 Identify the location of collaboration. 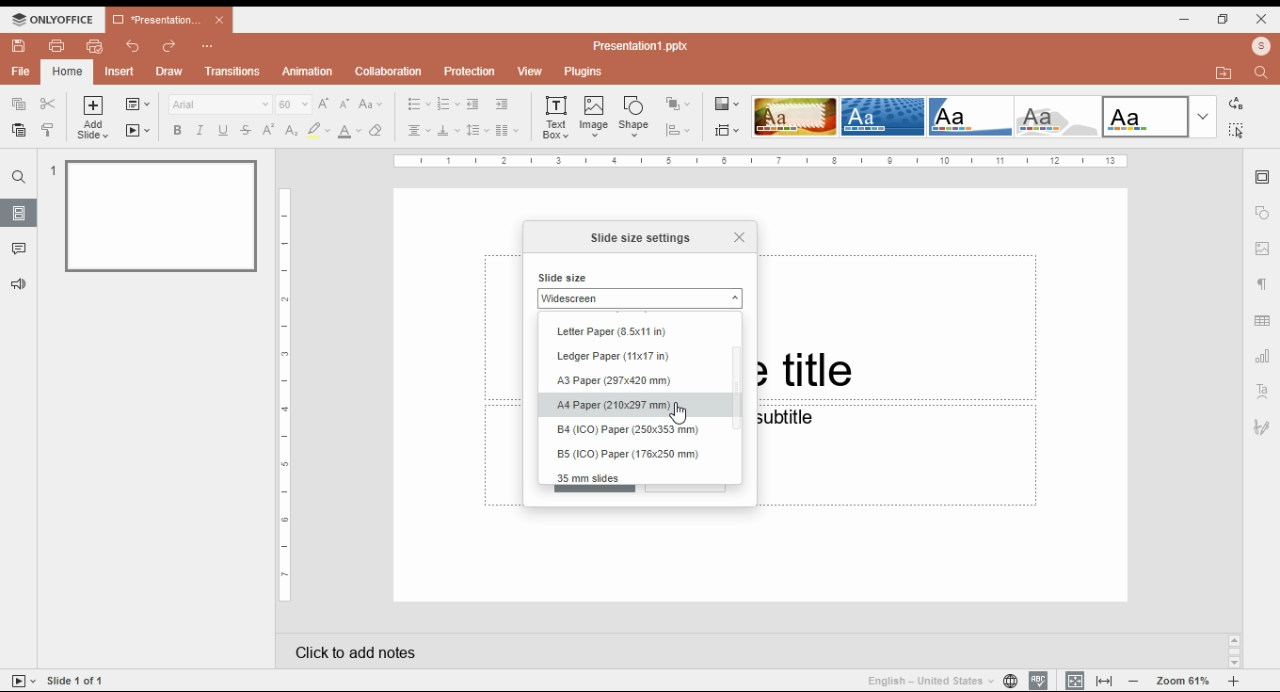
(388, 71).